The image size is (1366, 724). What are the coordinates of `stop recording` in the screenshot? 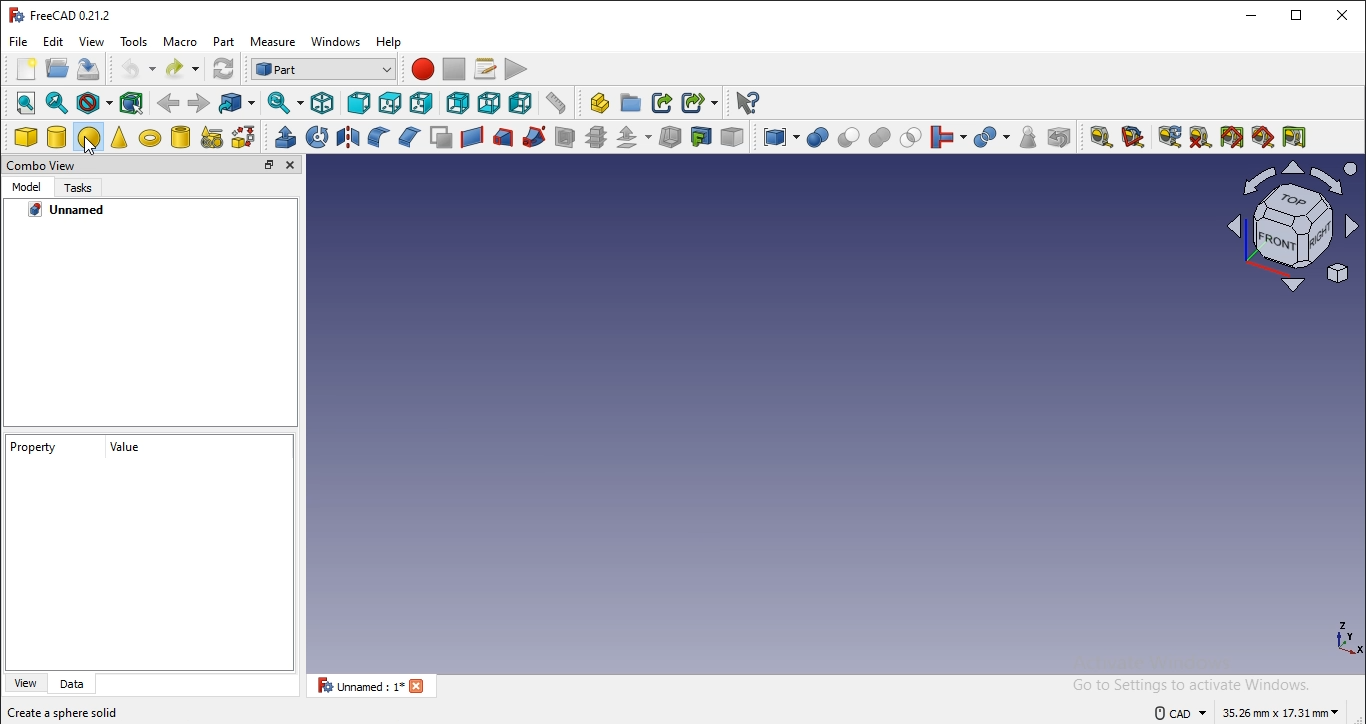 It's located at (454, 70).